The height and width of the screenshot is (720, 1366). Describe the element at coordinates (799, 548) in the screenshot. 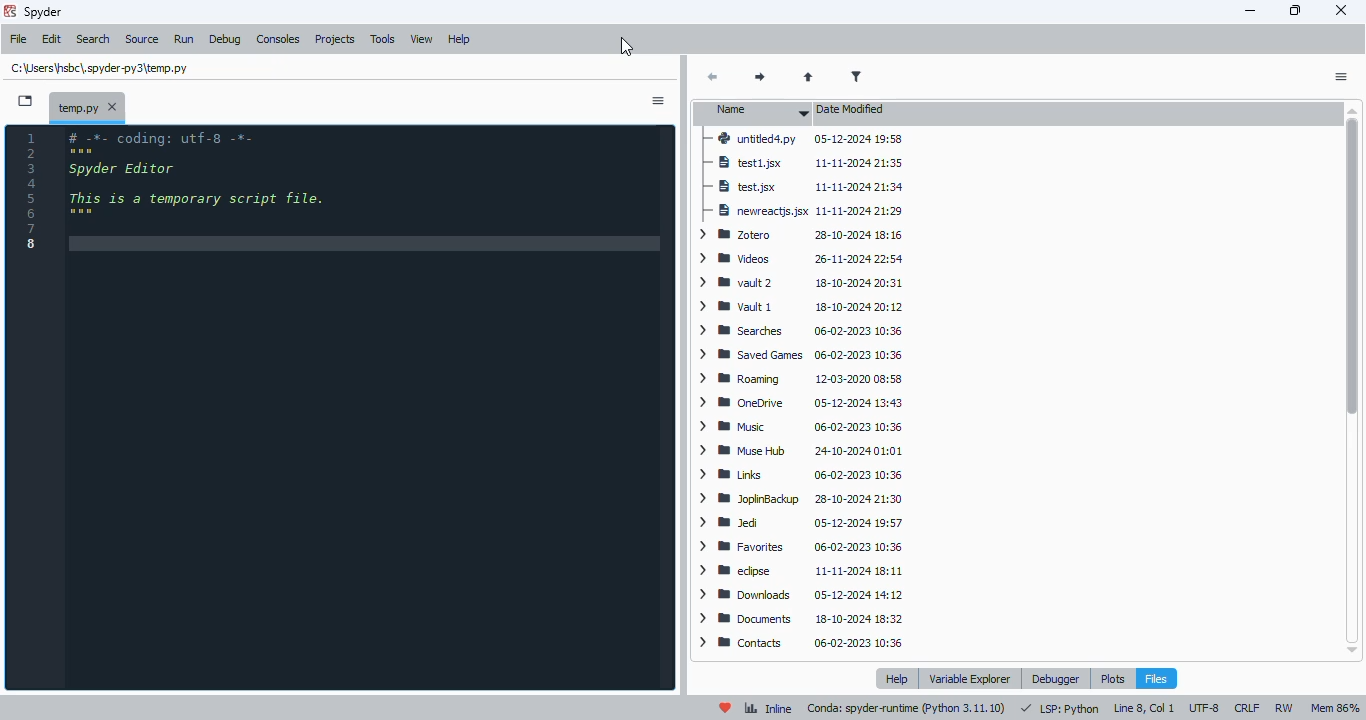

I see `favorites` at that location.